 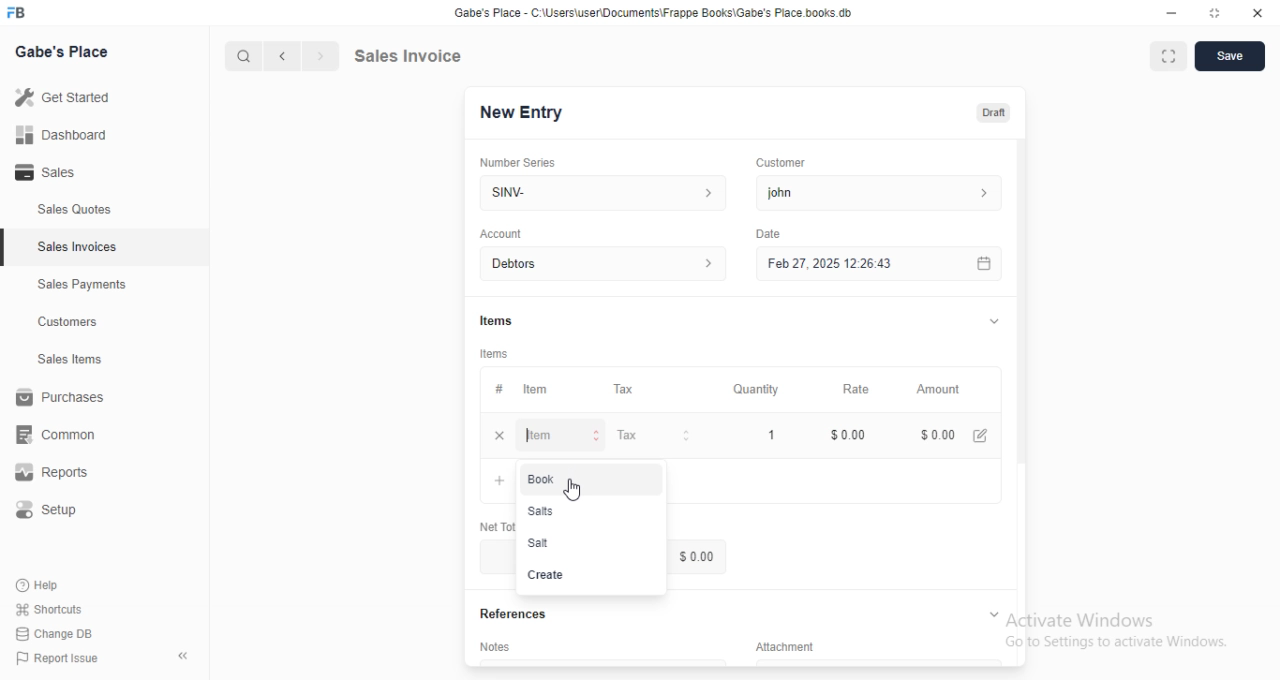 I want to click on Next, so click(x=319, y=54).